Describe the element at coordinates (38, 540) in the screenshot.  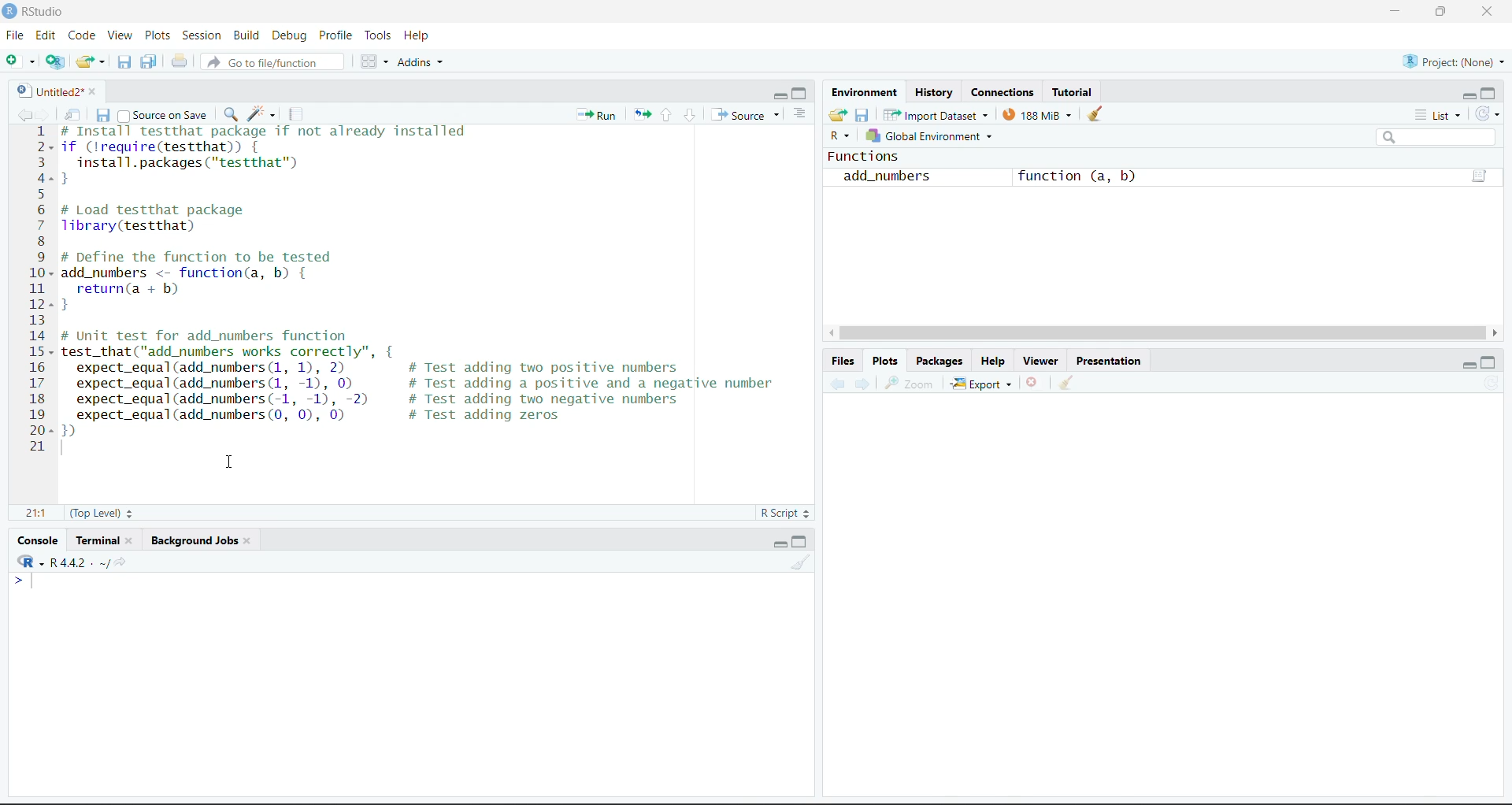
I see `console` at that location.